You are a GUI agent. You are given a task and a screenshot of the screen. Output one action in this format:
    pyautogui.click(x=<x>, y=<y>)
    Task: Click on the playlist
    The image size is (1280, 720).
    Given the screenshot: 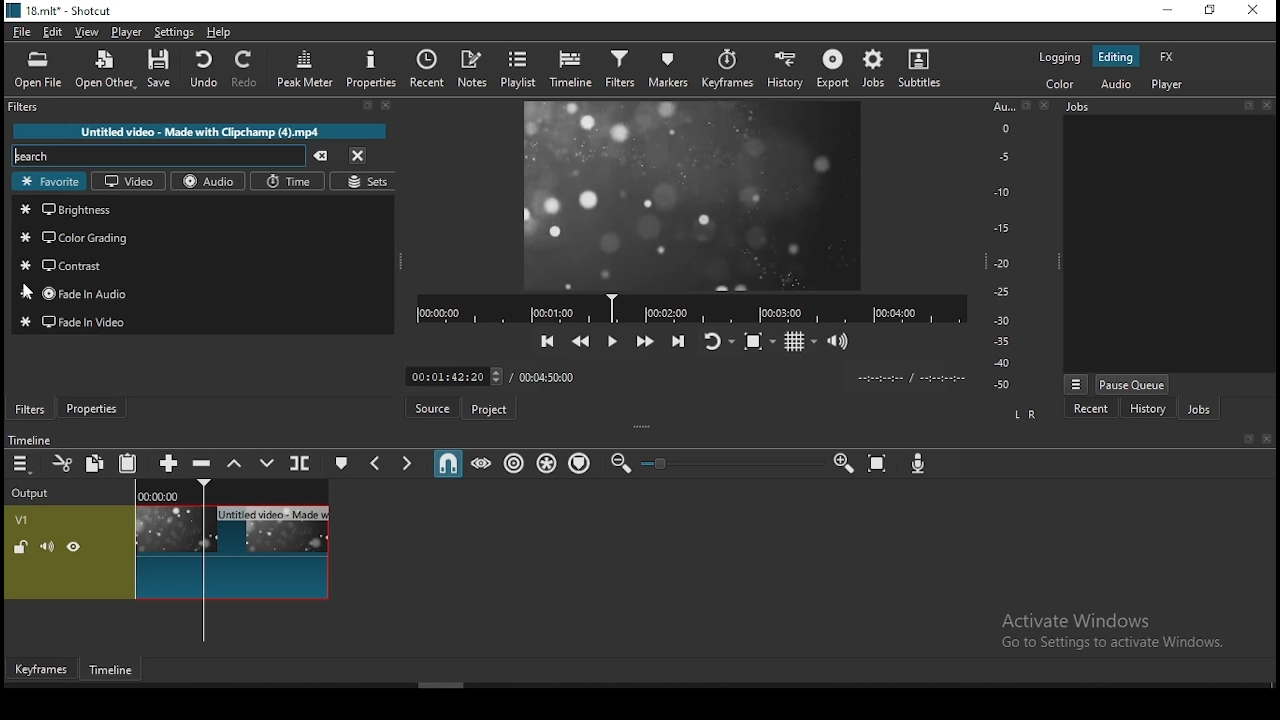 What is the action you would take?
    pyautogui.click(x=519, y=68)
    